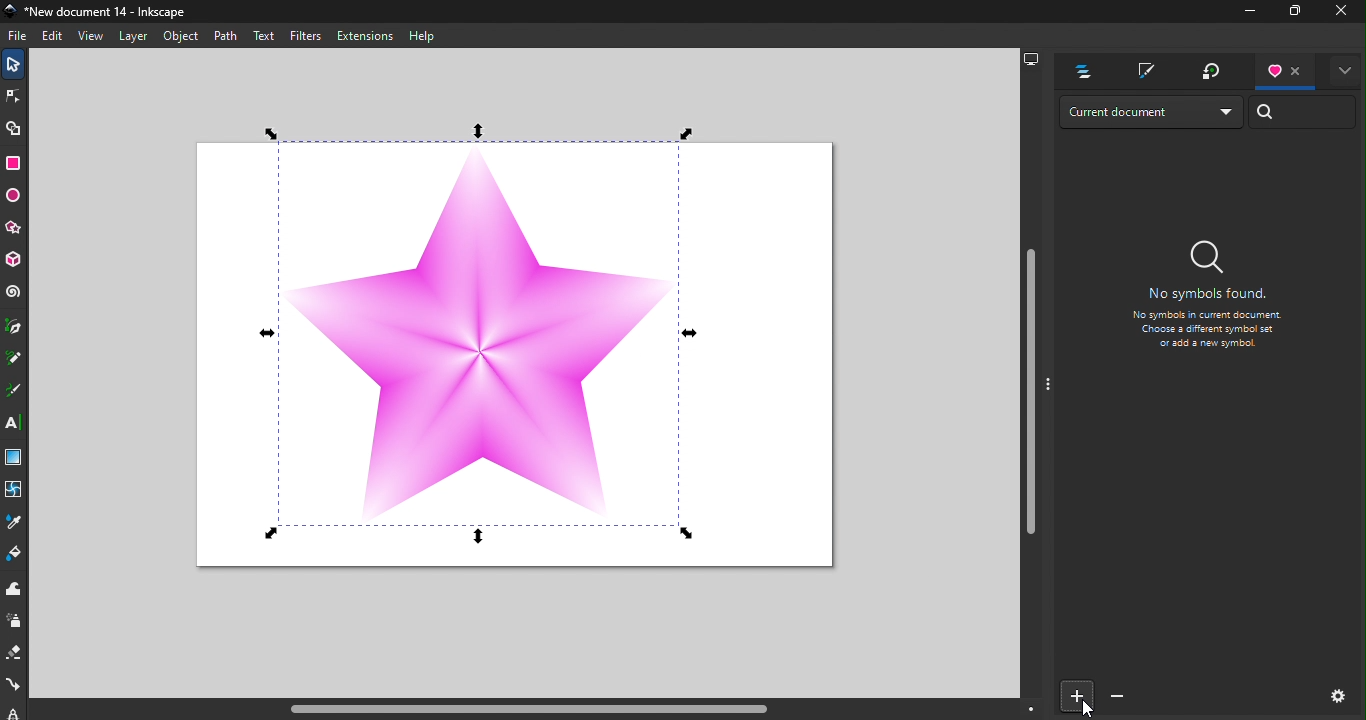 Image resolution: width=1366 pixels, height=720 pixels. Describe the element at coordinates (1030, 383) in the screenshot. I see `Vertical scroll bar` at that location.